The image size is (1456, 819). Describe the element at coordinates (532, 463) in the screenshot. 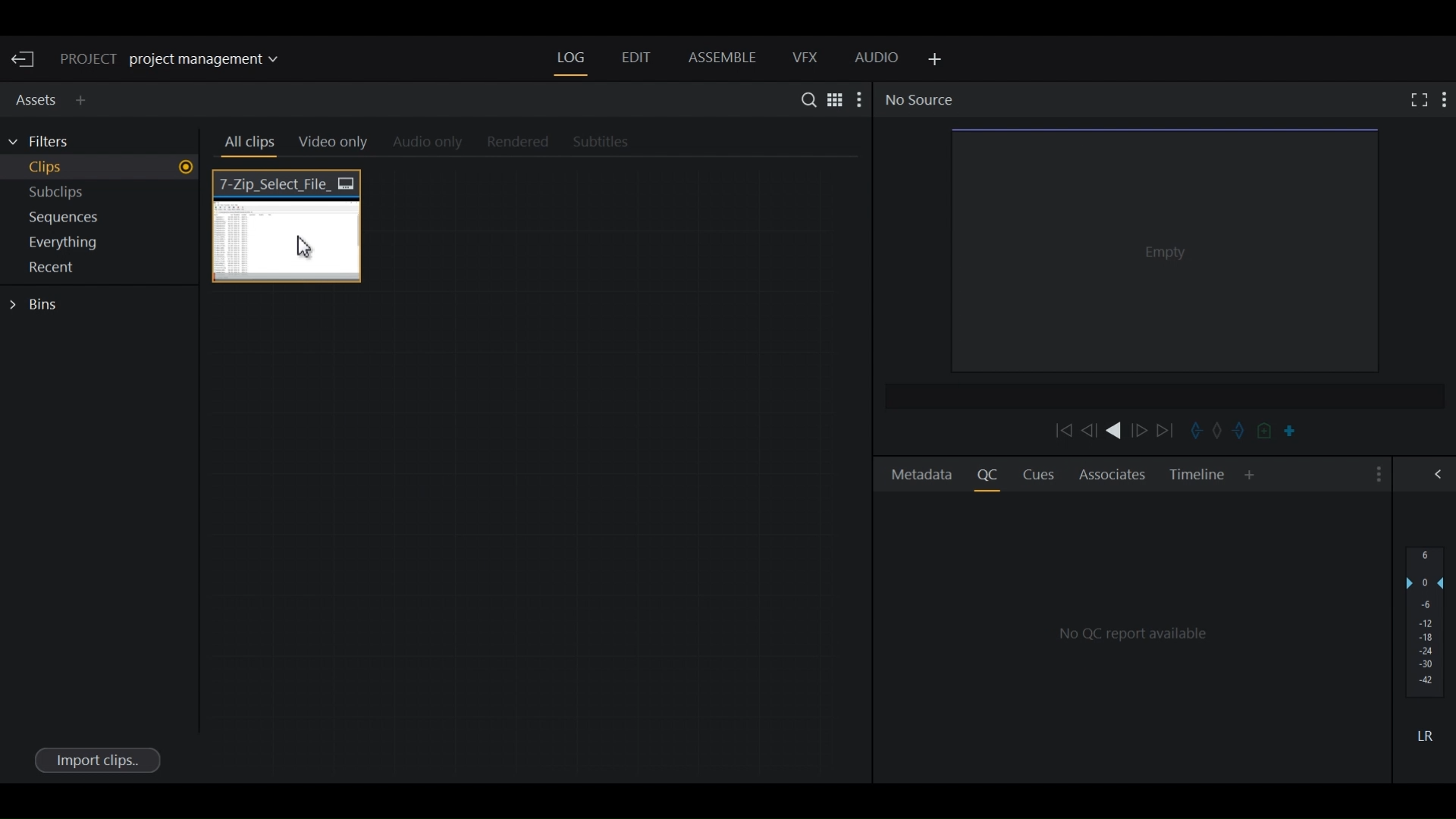

I see `Clips Thumbnail` at that location.